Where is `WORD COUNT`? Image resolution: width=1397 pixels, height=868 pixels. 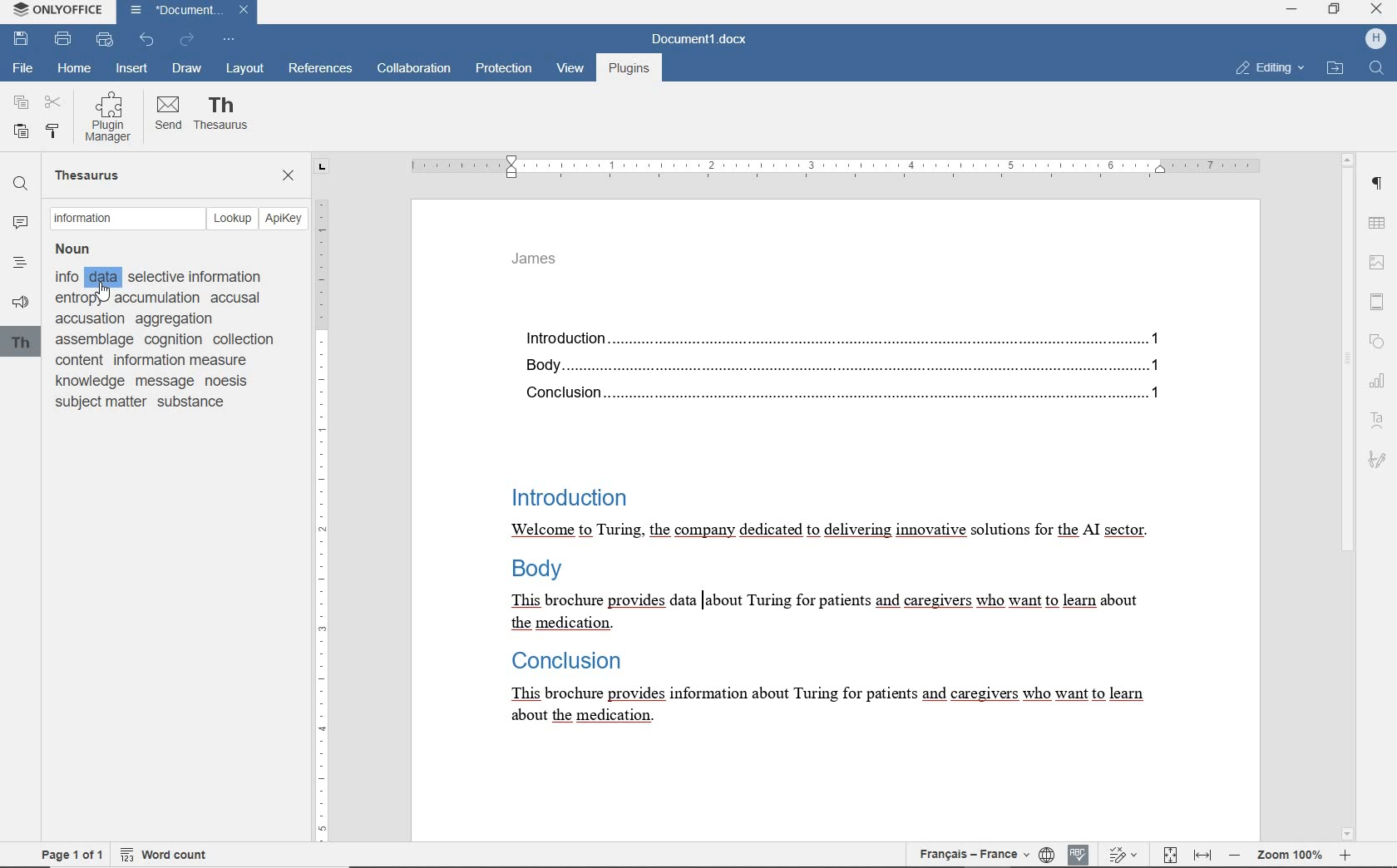 WORD COUNT is located at coordinates (164, 855).